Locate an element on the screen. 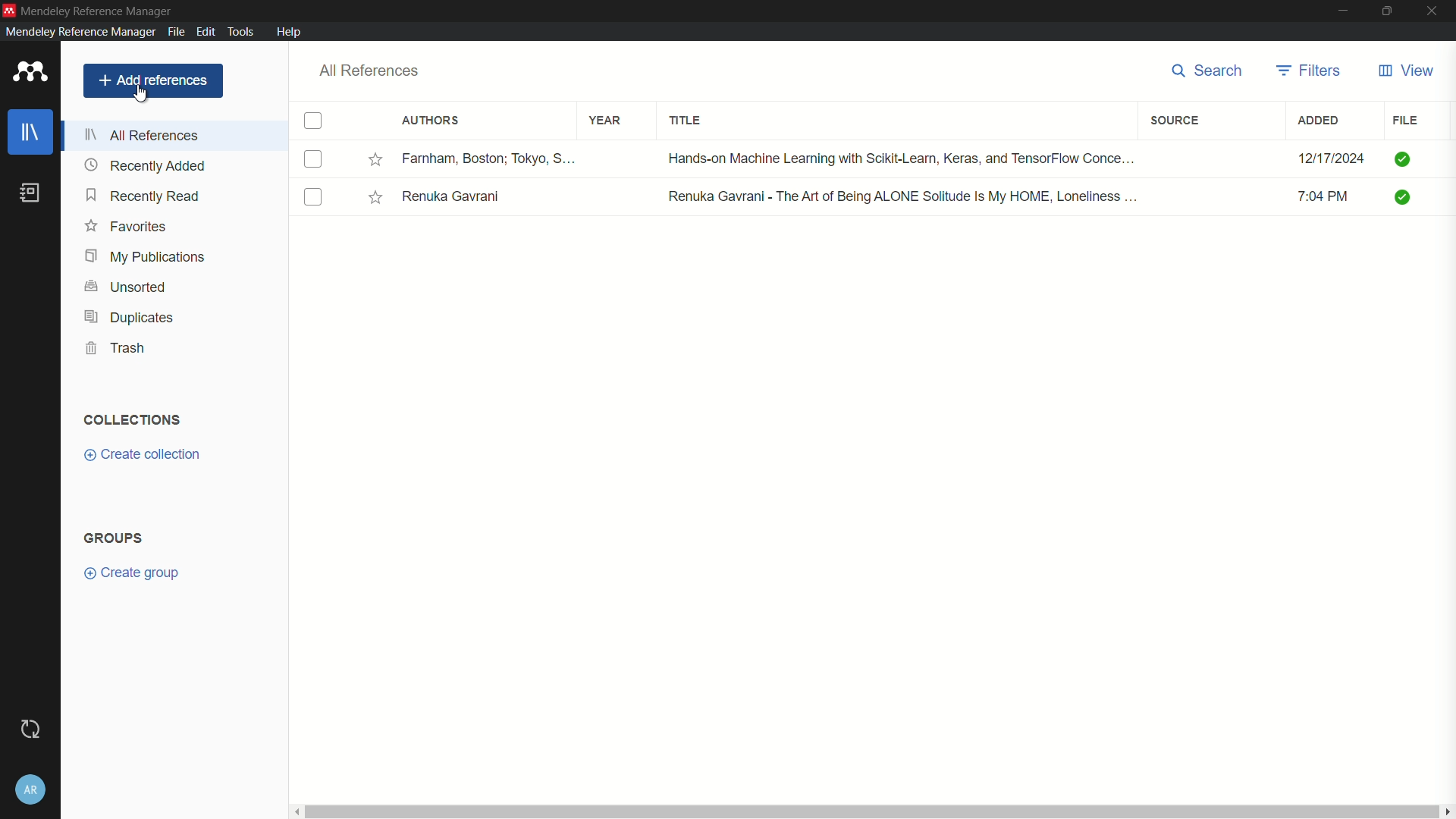 This screenshot has height=819, width=1456. Farnham, Boston; Tokyo, S... is located at coordinates (494, 158).